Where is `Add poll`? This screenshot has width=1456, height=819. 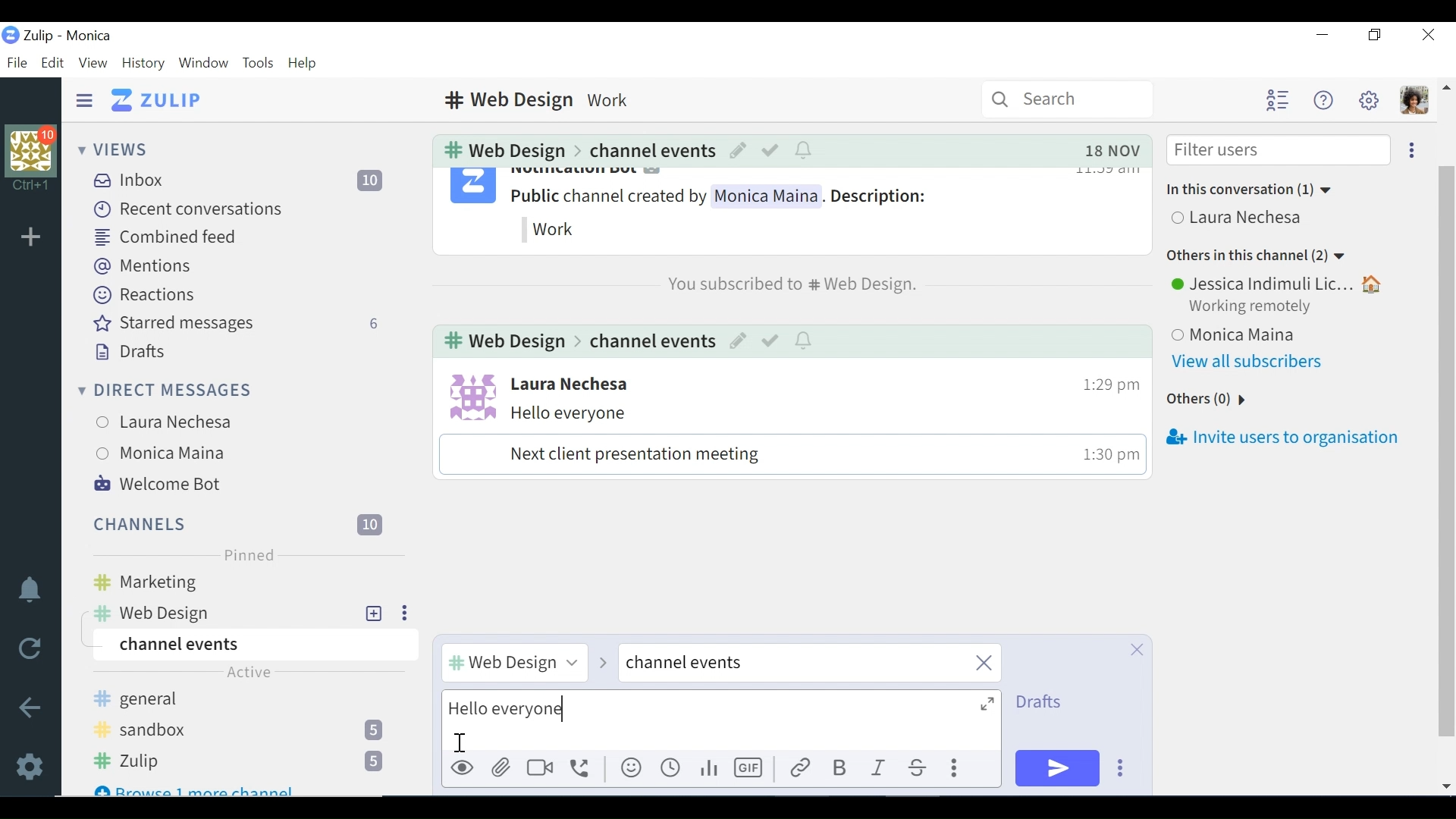
Add poll is located at coordinates (708, 769).